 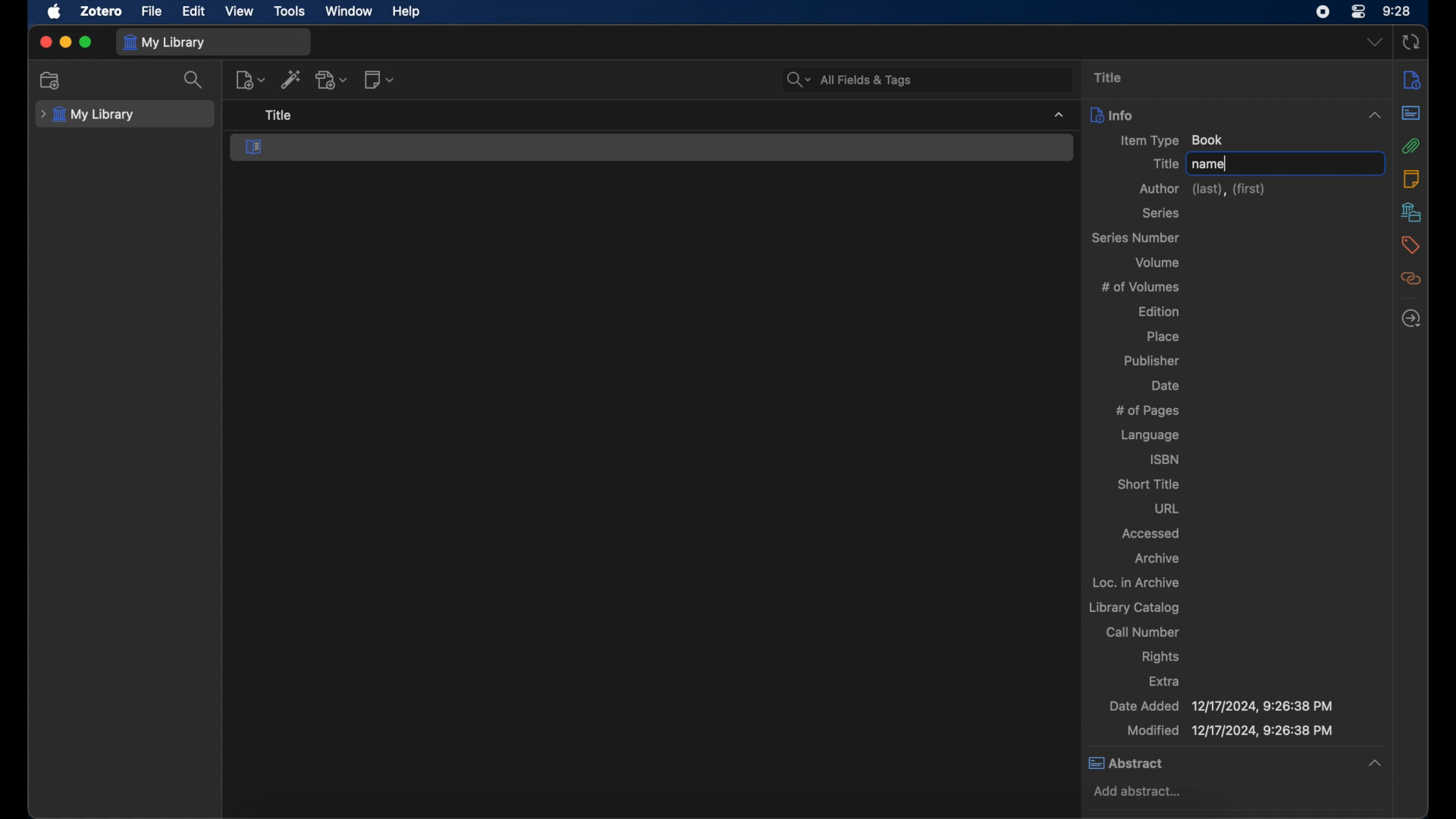 What do you see at coordinates (1230, 730) in the screenshot?
I see `modified` at bounding box center [1230, 730].